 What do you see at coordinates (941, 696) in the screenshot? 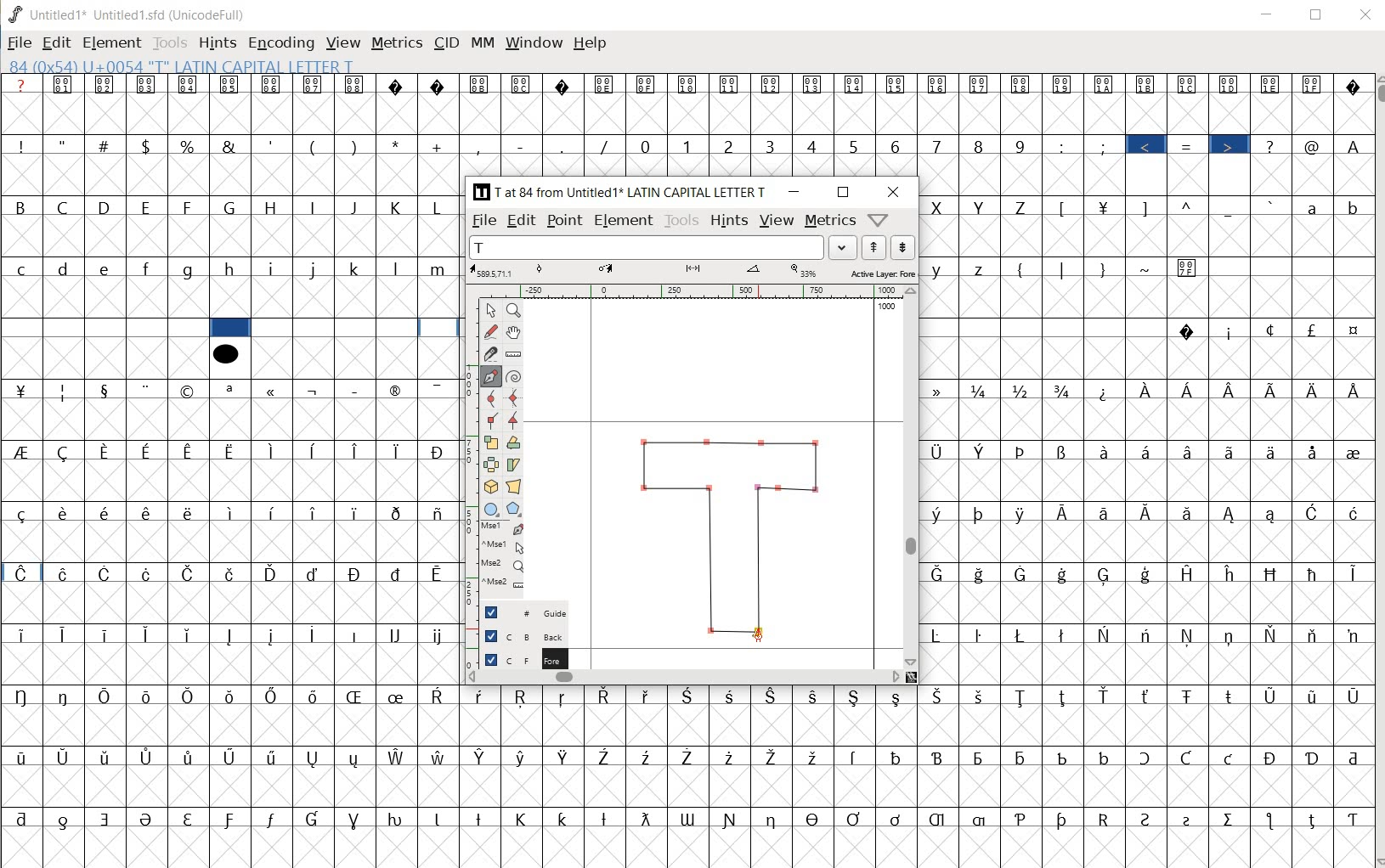
I see `Symbol` at bounding box center [941, 696].